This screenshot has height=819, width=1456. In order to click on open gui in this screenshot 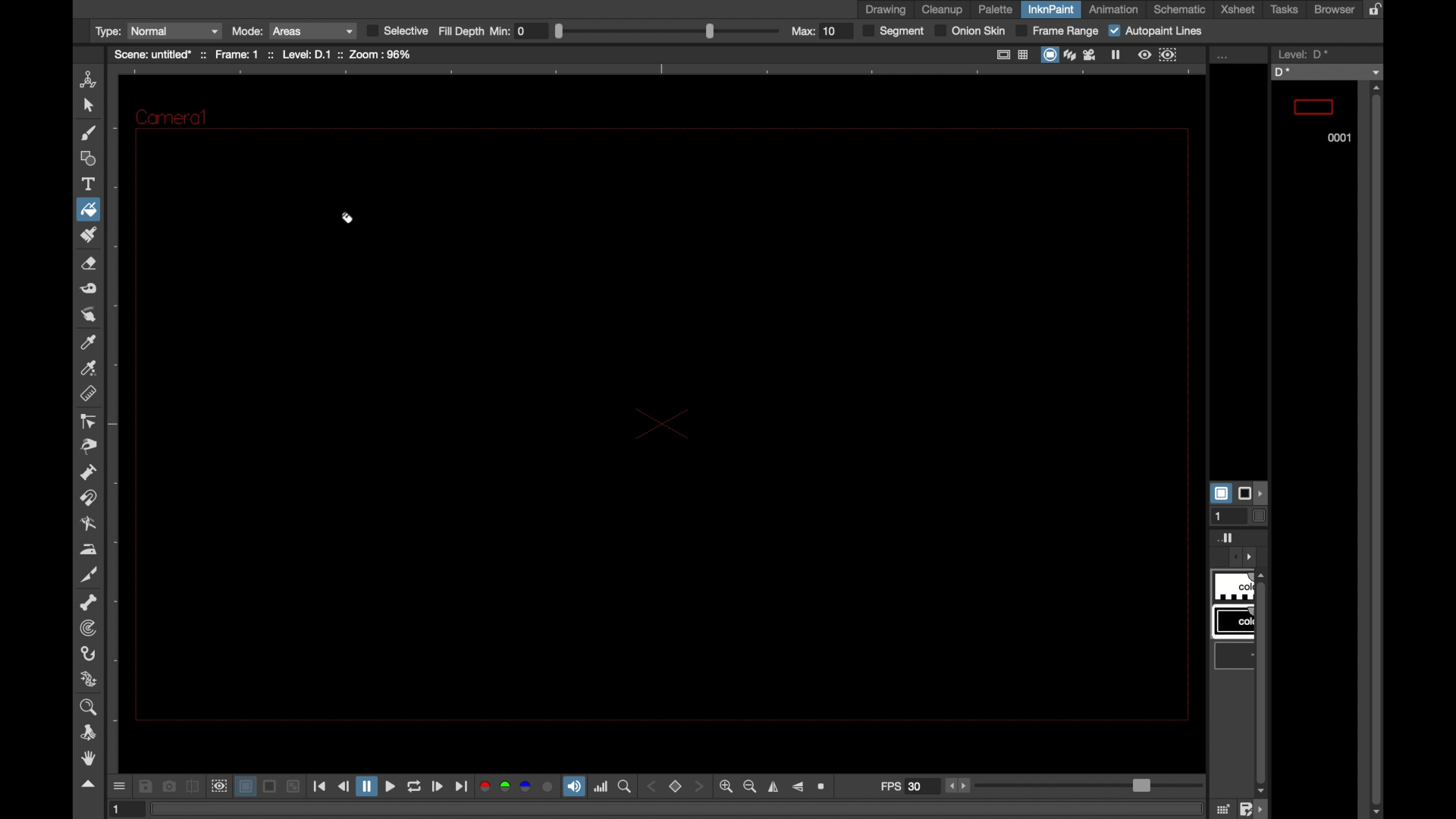, I will do `click(121, 786)`.